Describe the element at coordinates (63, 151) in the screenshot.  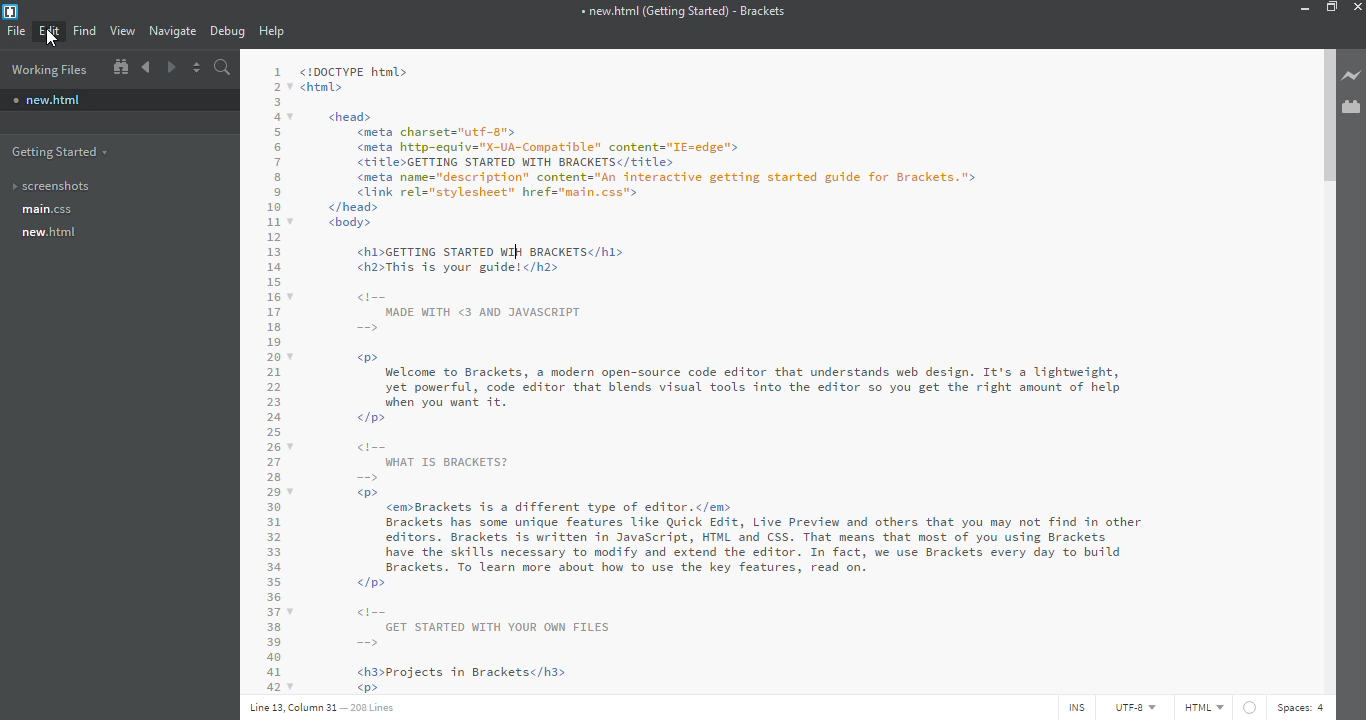
I see `getting started` at that location.